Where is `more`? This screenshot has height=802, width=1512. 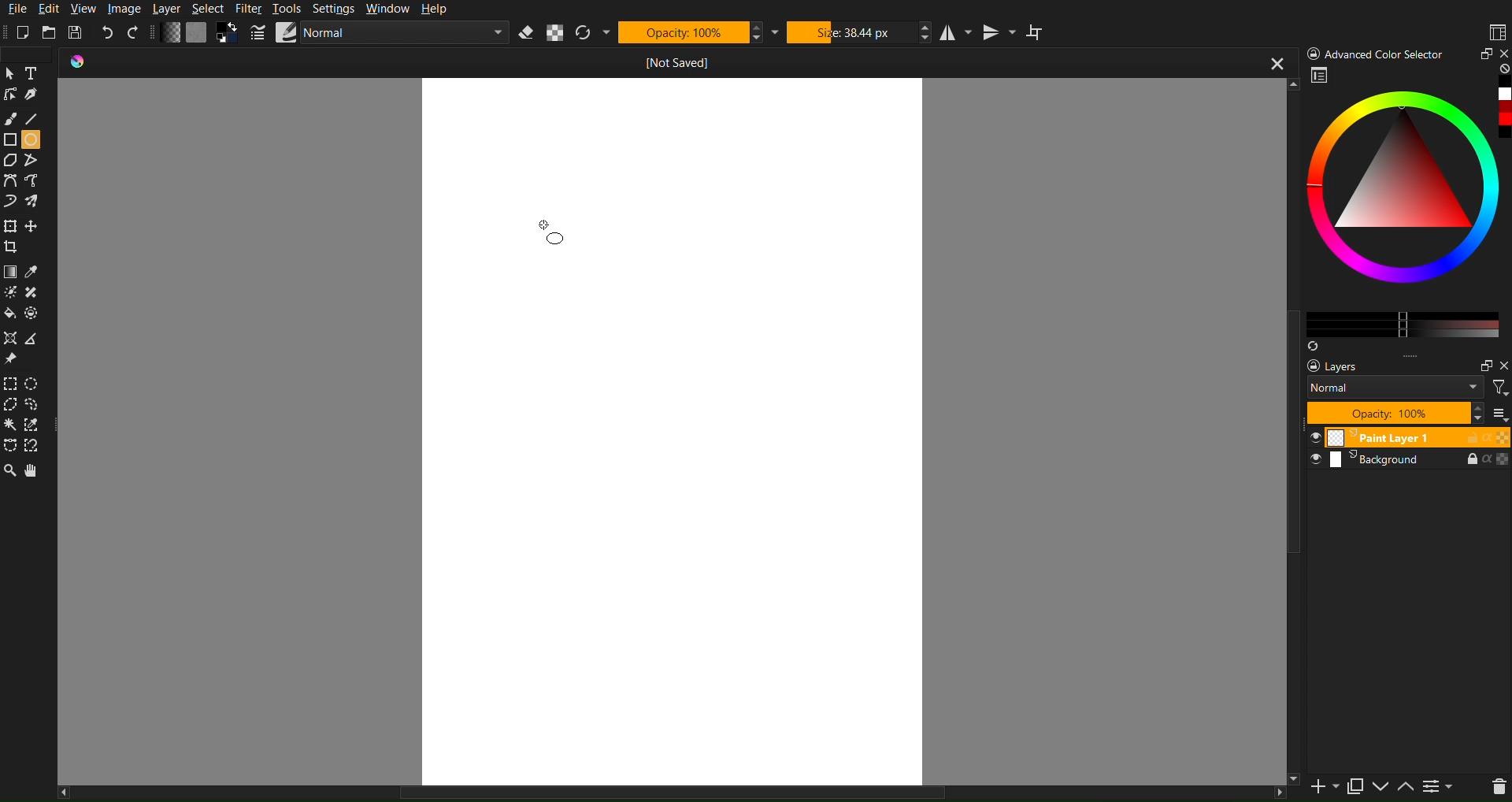
more is located at coordinates (1501, 412).